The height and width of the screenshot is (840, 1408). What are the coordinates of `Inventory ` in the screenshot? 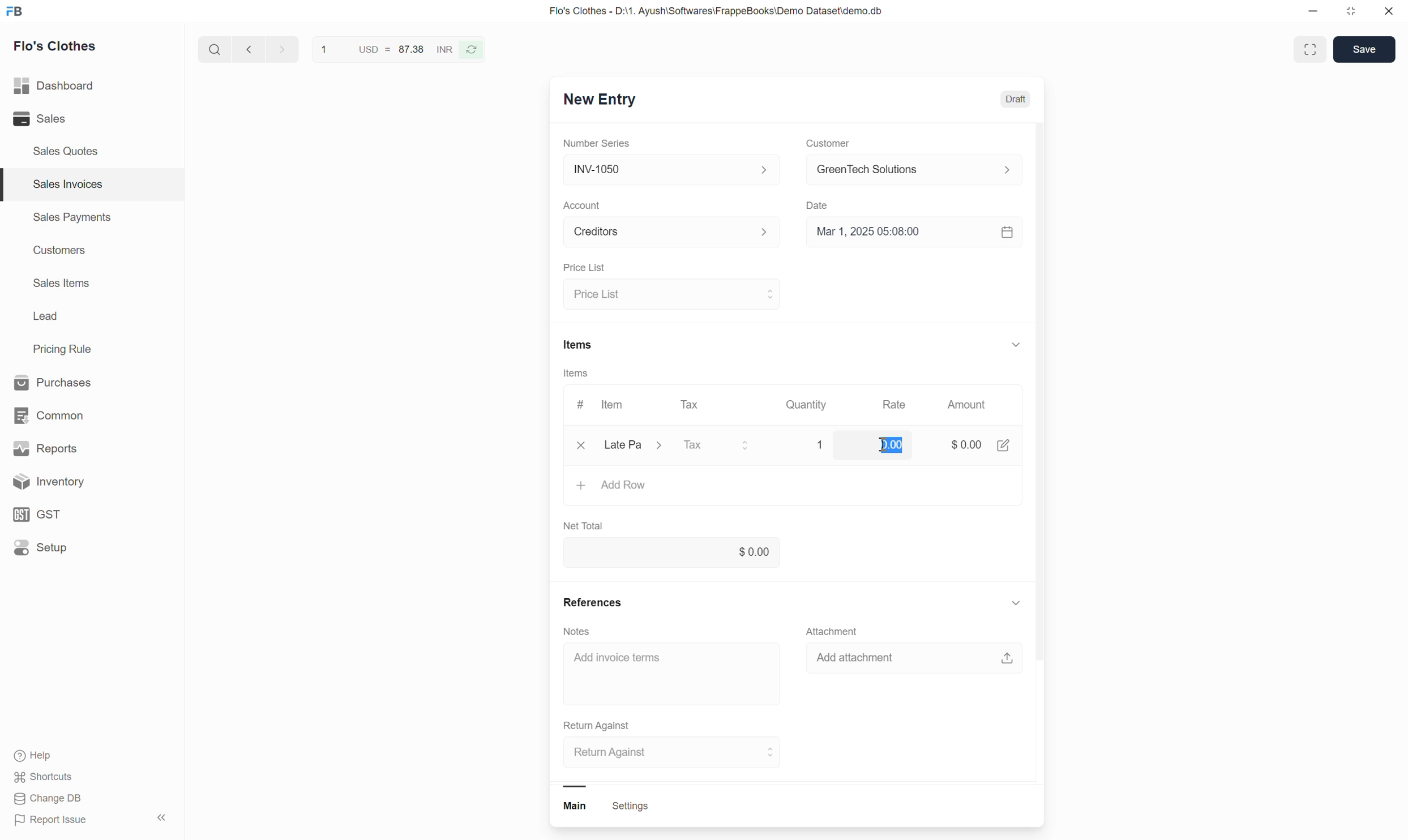 It's located at (85, 482).